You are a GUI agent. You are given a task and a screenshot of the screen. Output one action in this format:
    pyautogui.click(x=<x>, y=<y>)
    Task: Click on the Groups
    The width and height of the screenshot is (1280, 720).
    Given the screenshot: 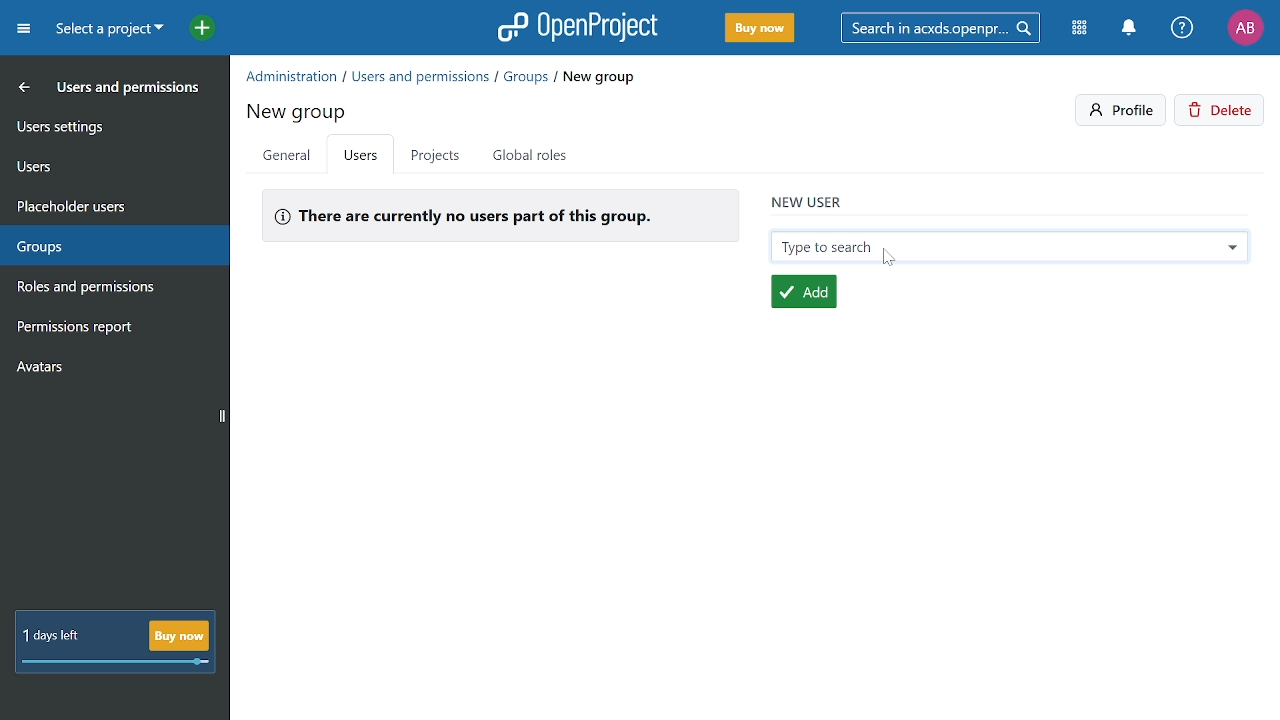 What is the action you would take?
    pyautogui.click(x=109, y=242)
    